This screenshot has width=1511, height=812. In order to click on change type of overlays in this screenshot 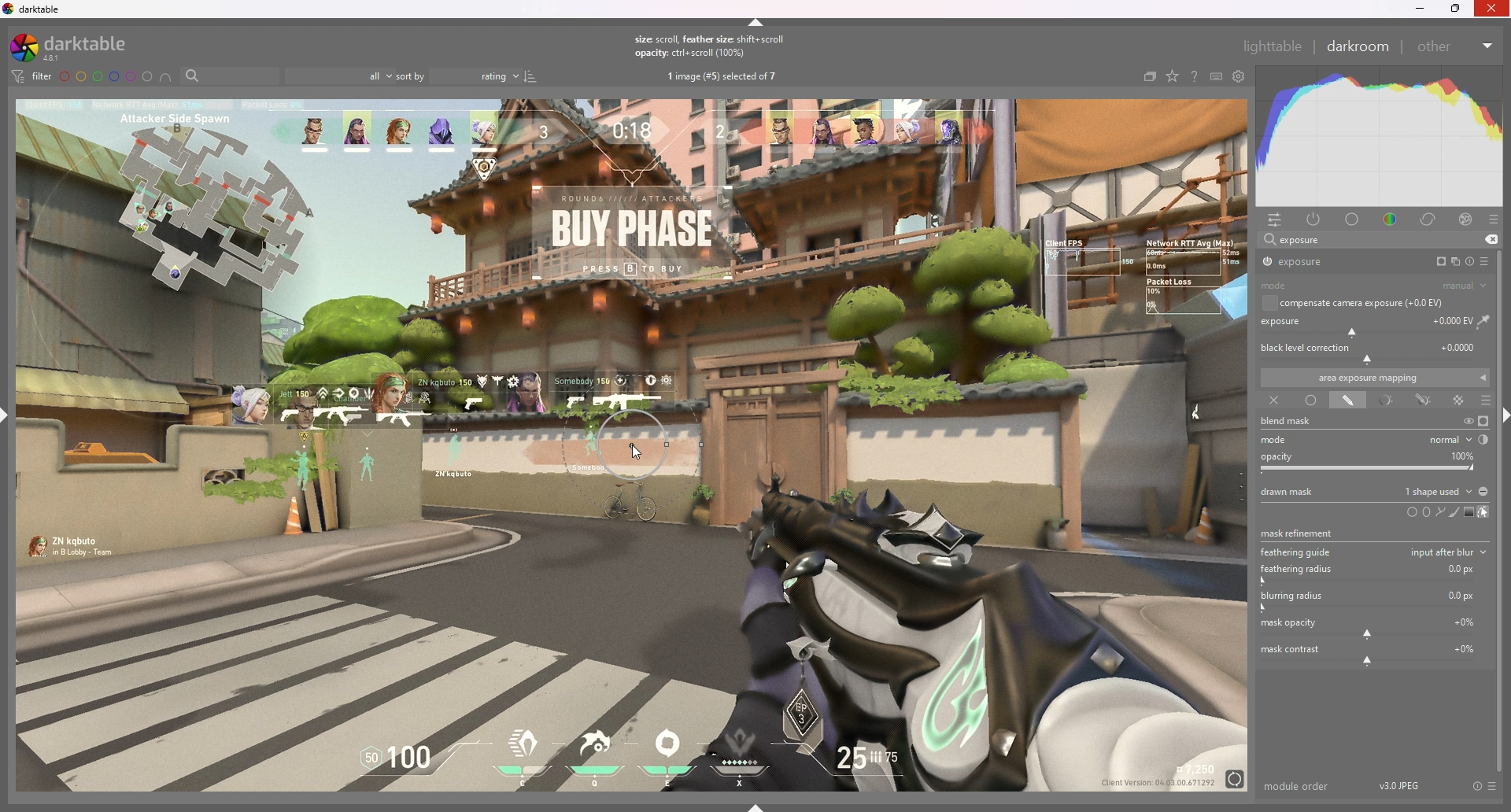, I will do `click(1173, 76)`.